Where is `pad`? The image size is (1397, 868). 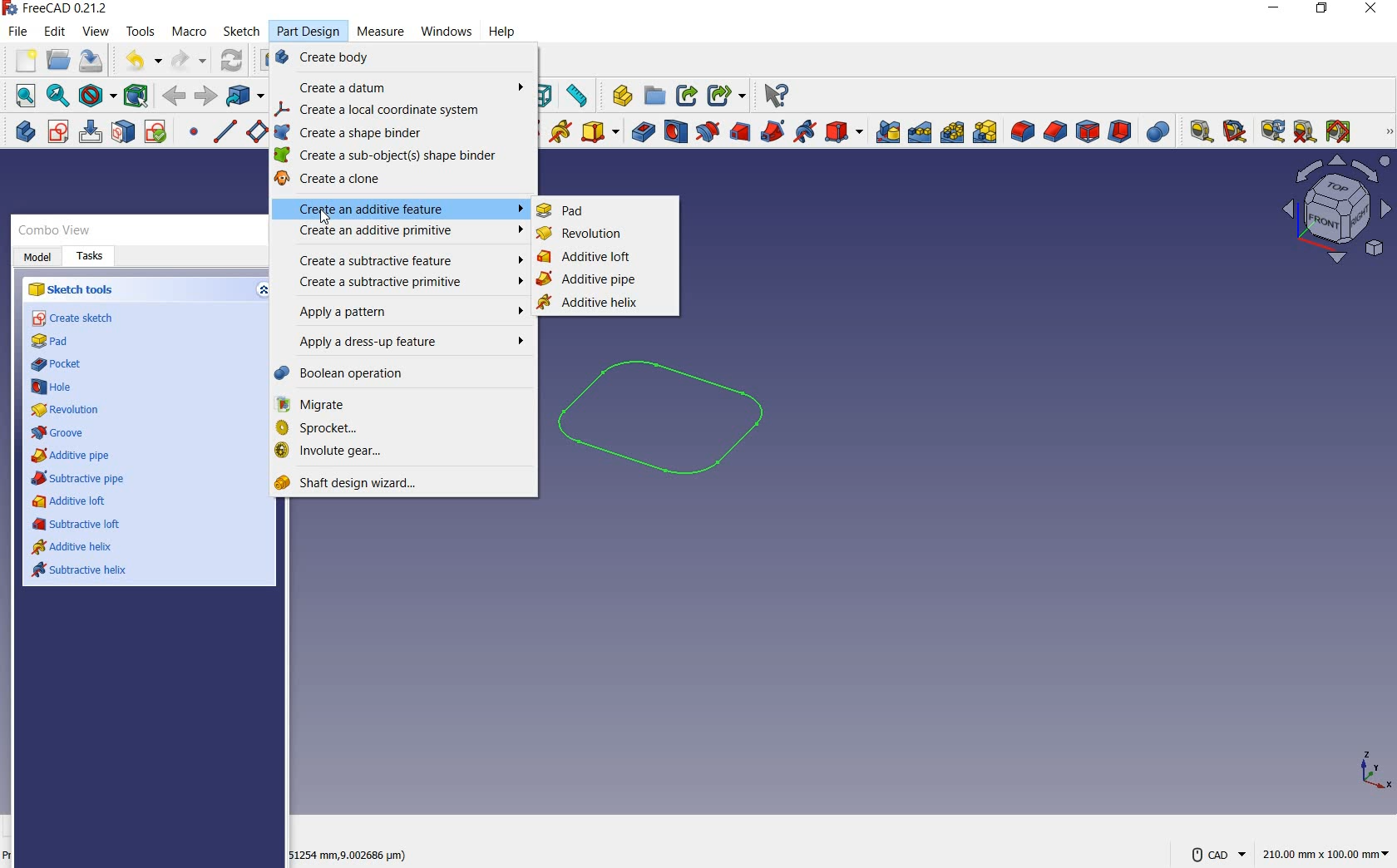 pad is located at coordinates (54, 342).